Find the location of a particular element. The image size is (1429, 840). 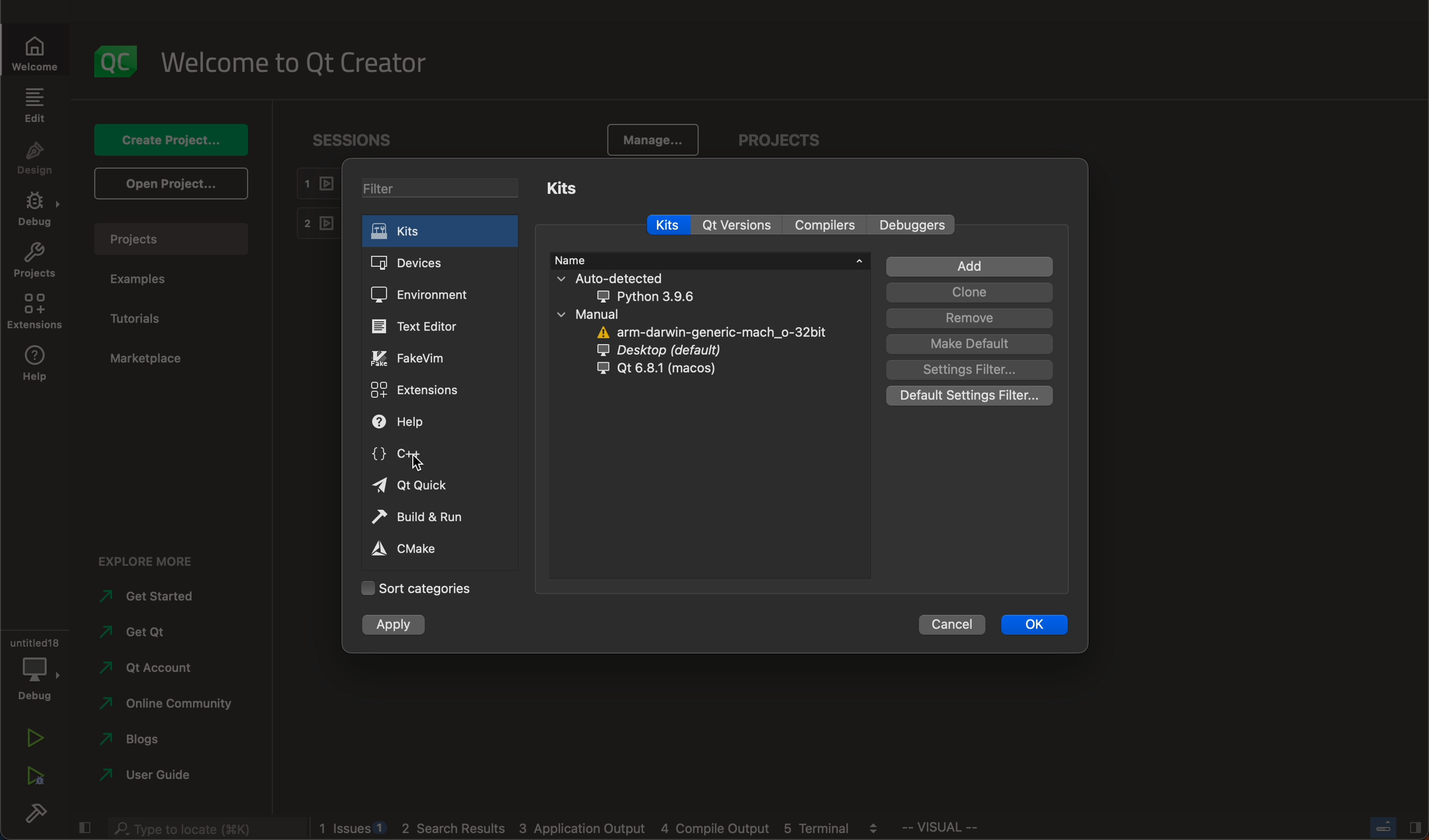

create is located at coordinates (168, 139).